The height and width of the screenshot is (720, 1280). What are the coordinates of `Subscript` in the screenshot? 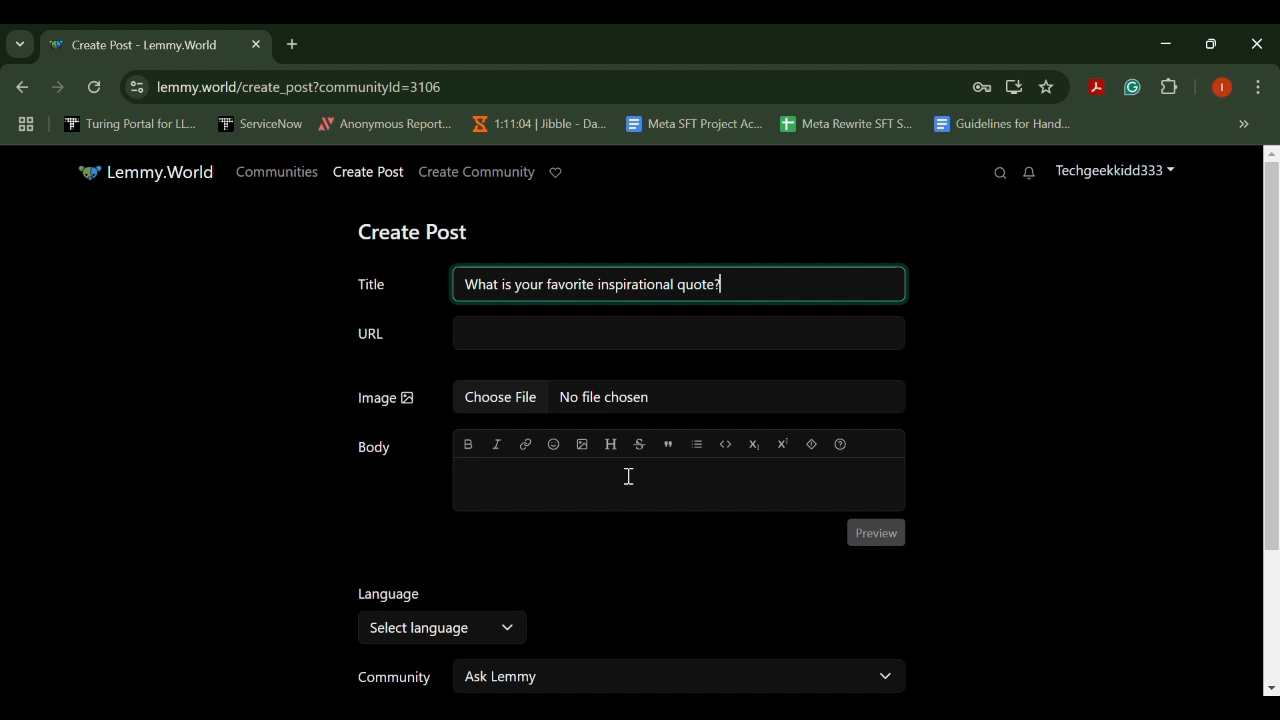 It's located at (755, 443).